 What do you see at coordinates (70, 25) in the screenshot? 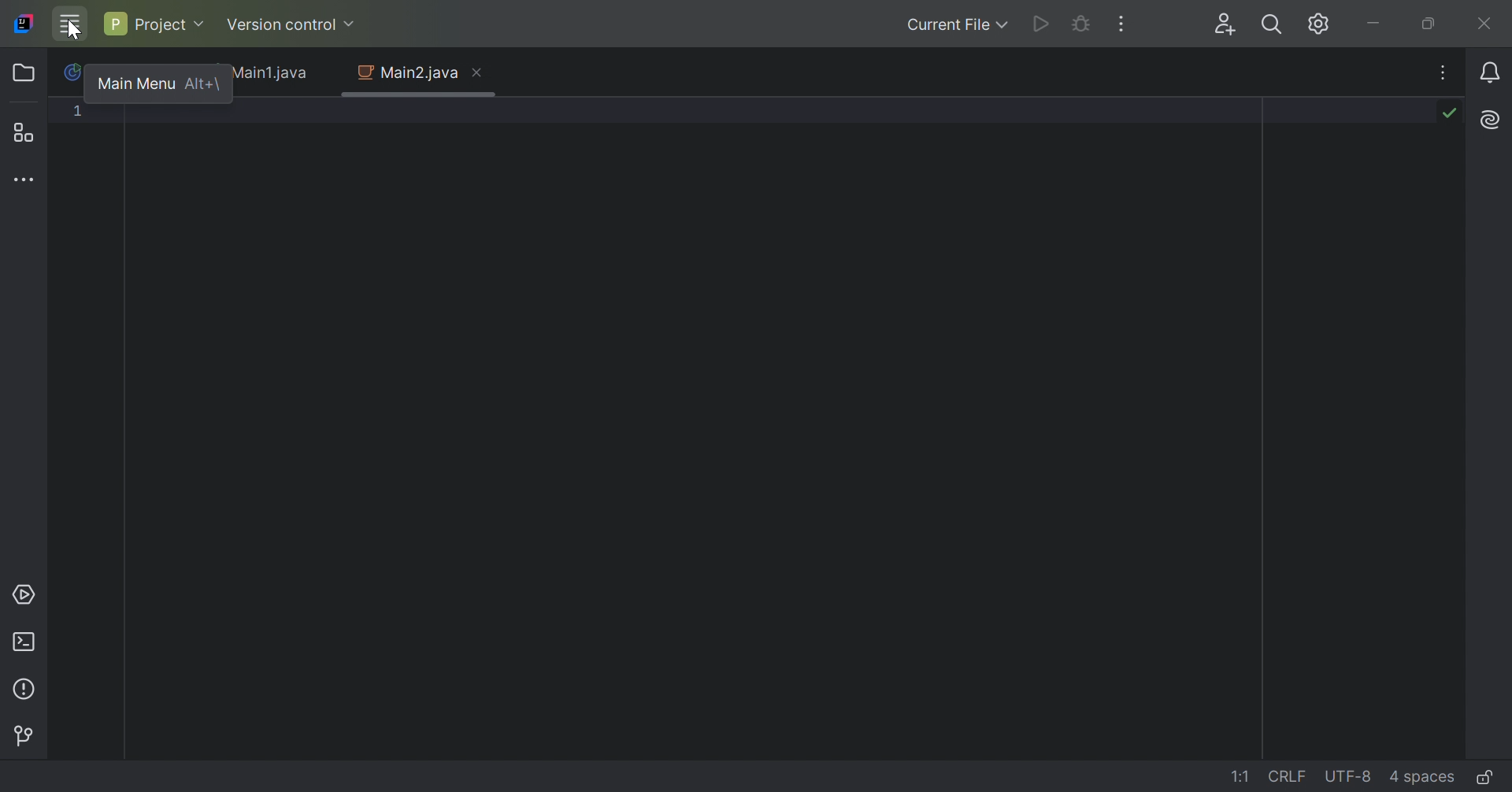
I see `Cursor on Main Menu` at bounding box center [70, 25].